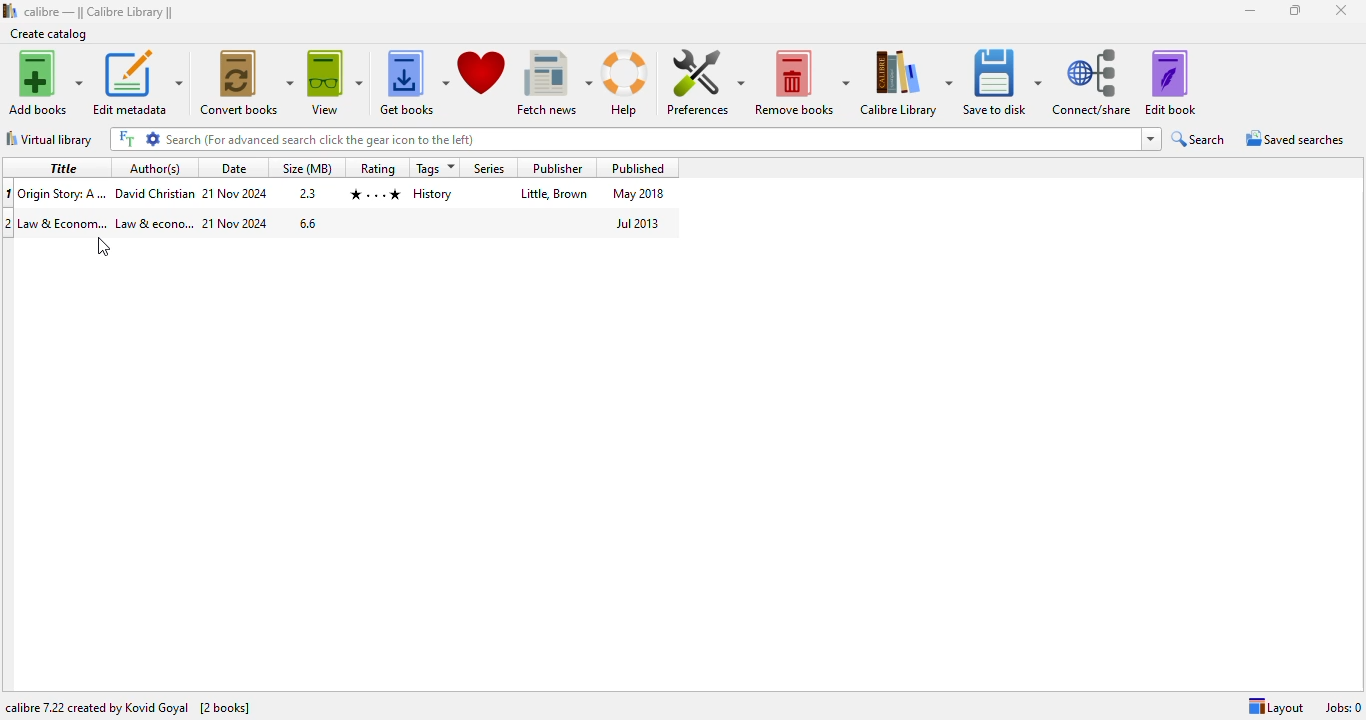 This screenshot has width=1366, height=720. Describe the element at coordinates (483, 74) in the screenshot. I see `donate to support calibre` at that location.